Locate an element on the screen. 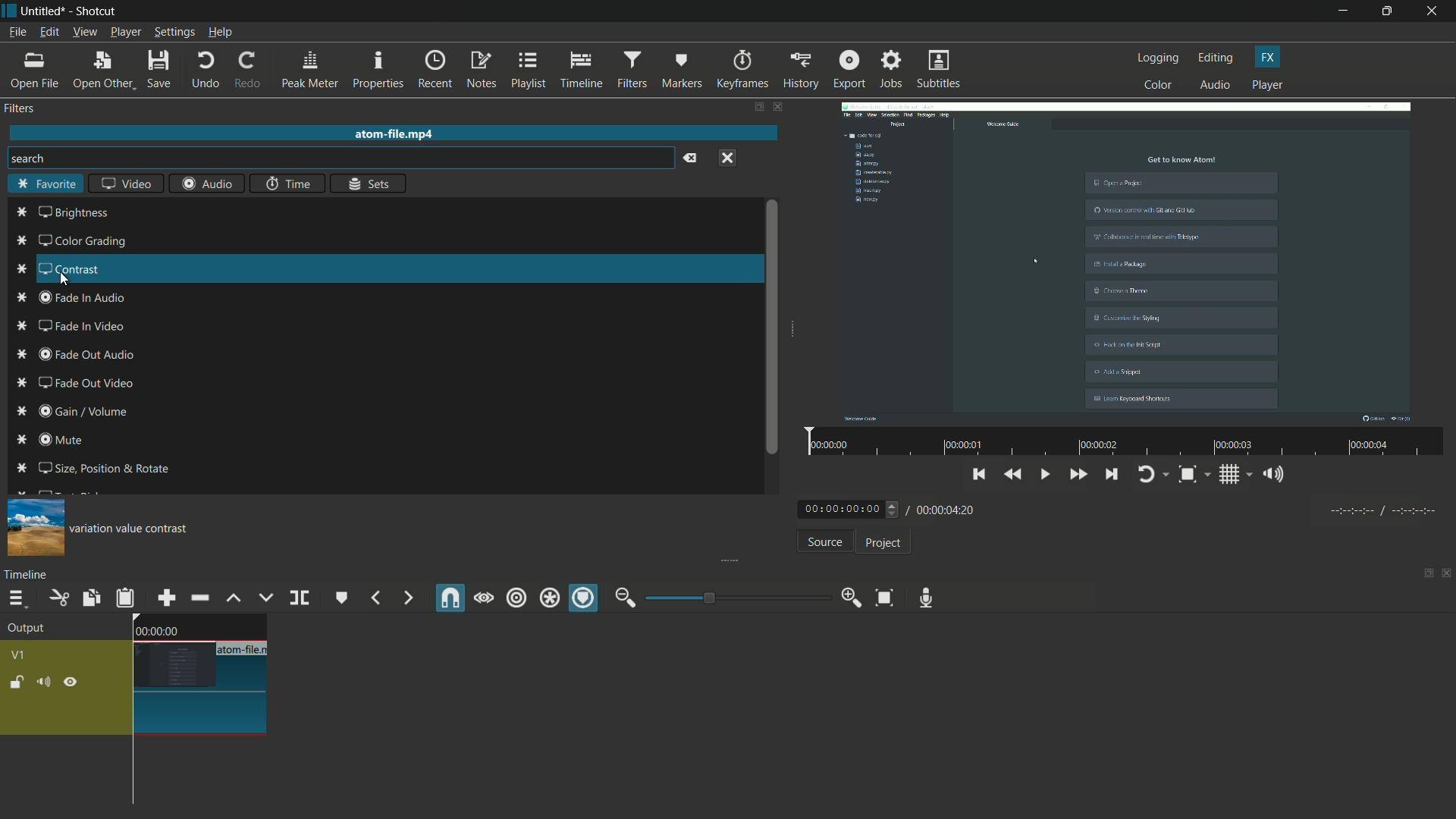  quickly play forward is located at coordinates (1079, 476).